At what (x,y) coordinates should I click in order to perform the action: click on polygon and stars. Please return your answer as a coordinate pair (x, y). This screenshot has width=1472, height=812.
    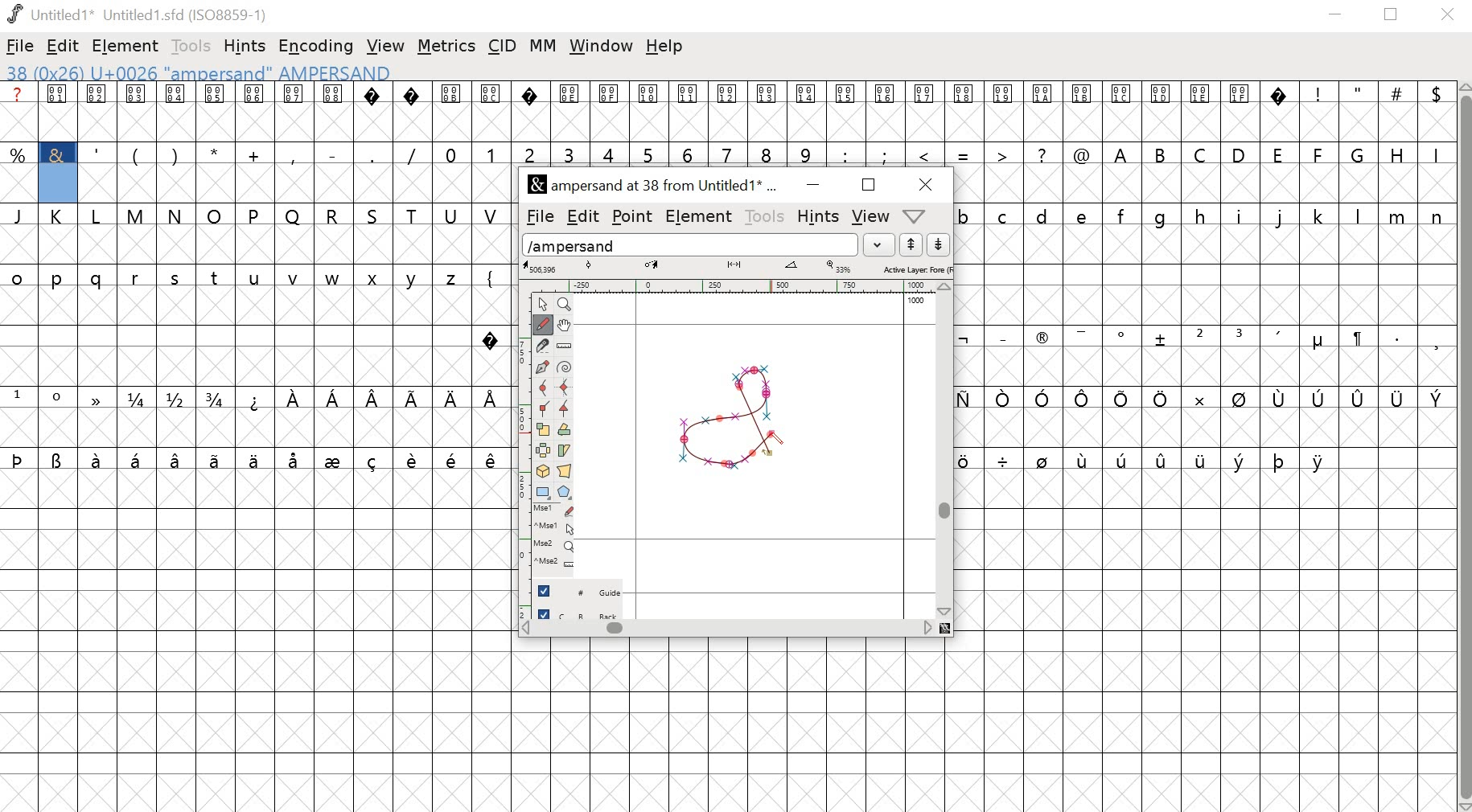
    Looking at the image, I should click on (566, 492).